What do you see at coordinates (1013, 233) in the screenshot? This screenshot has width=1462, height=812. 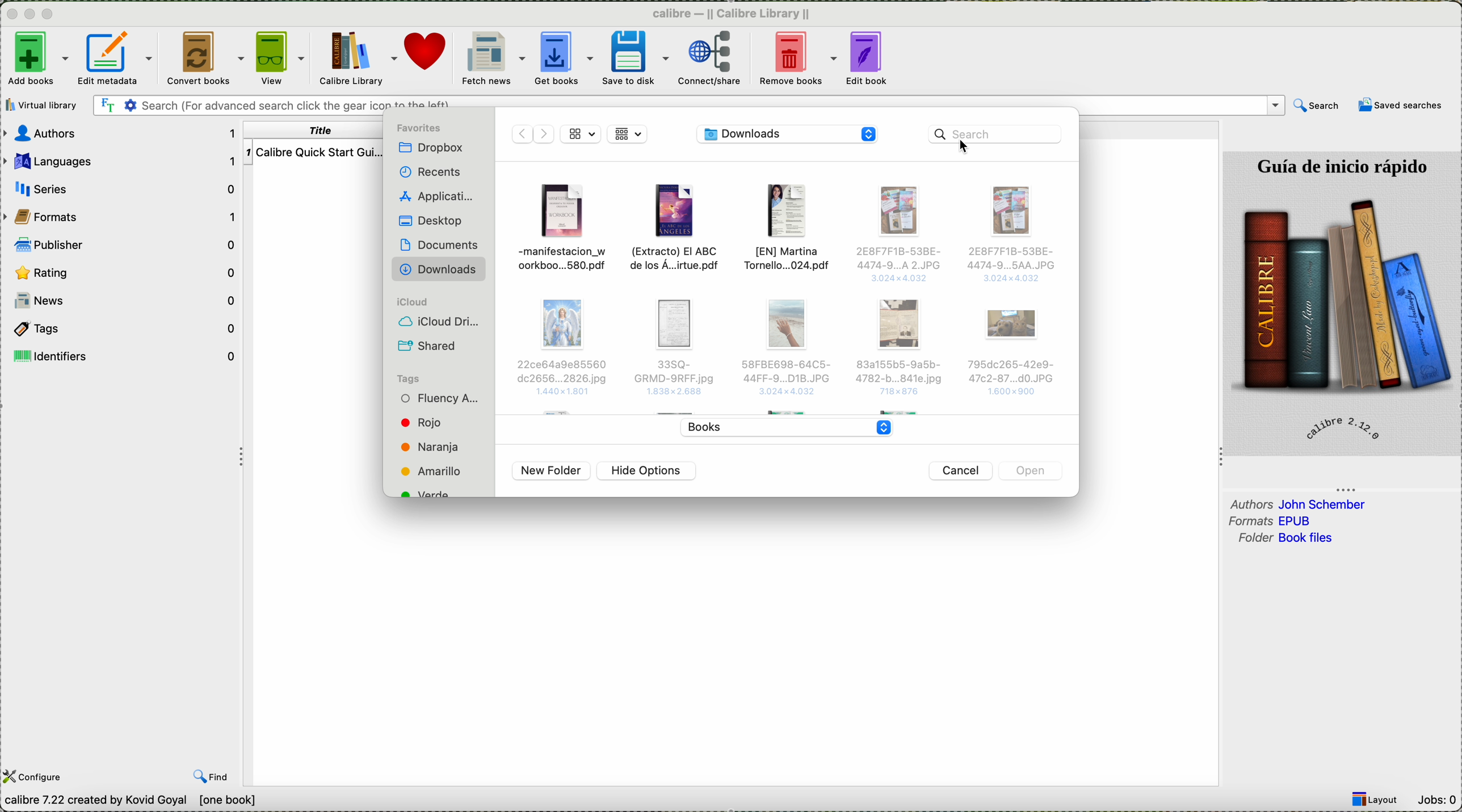 I see `` at bounding box center [1013, 233].